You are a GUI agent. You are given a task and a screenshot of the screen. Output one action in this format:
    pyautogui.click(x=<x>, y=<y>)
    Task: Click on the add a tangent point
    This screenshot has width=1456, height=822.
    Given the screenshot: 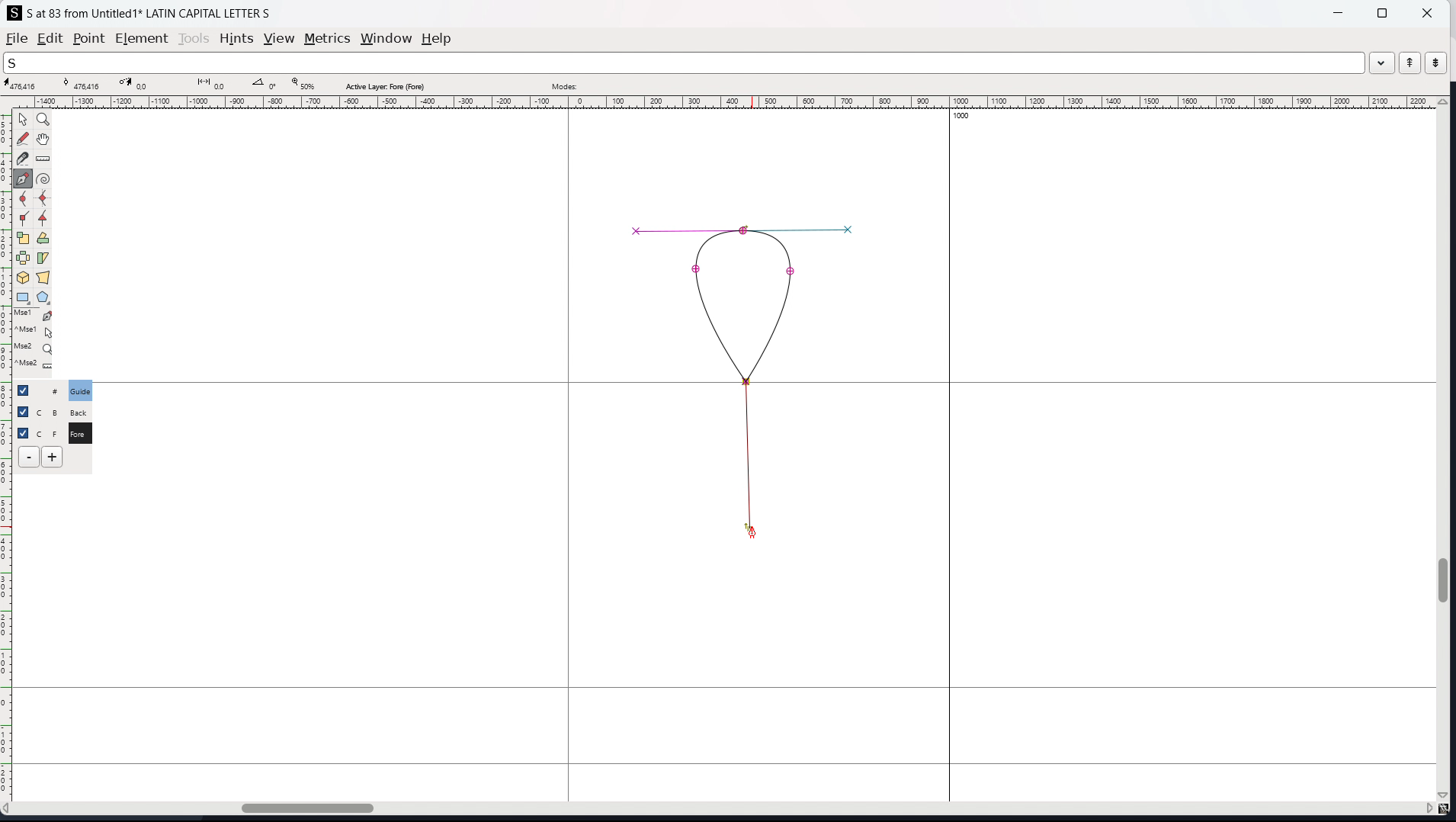 What is the action you would take?
    pyautogui.click(x=43, y=219)
    